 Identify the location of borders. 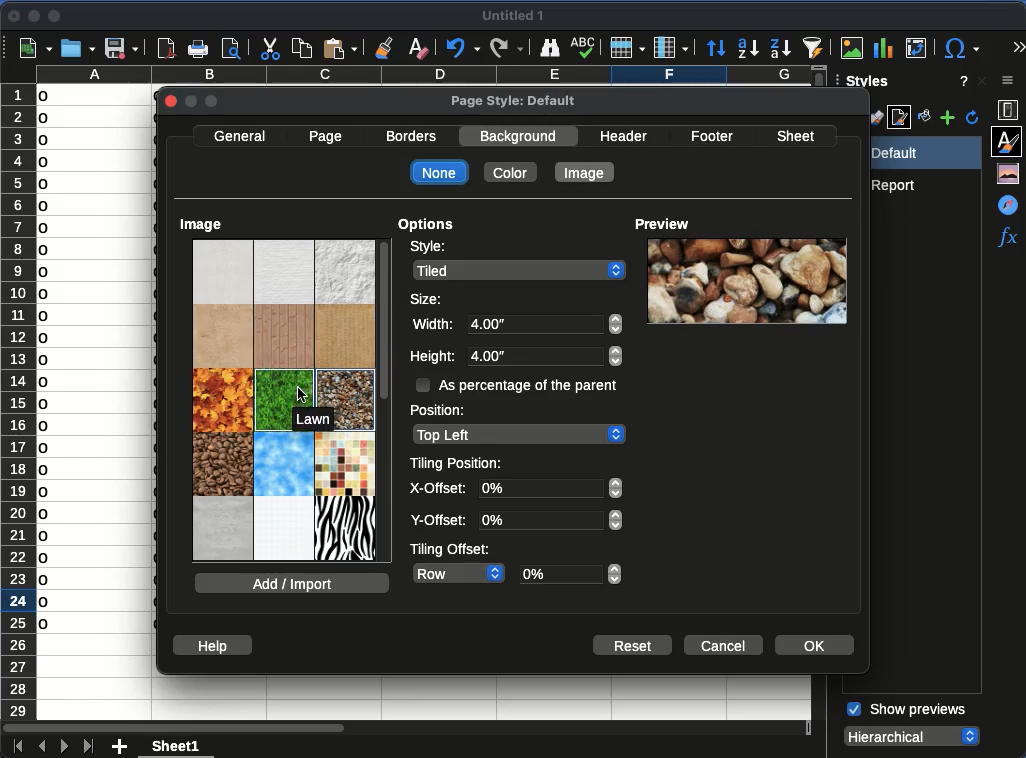
(414, 137).